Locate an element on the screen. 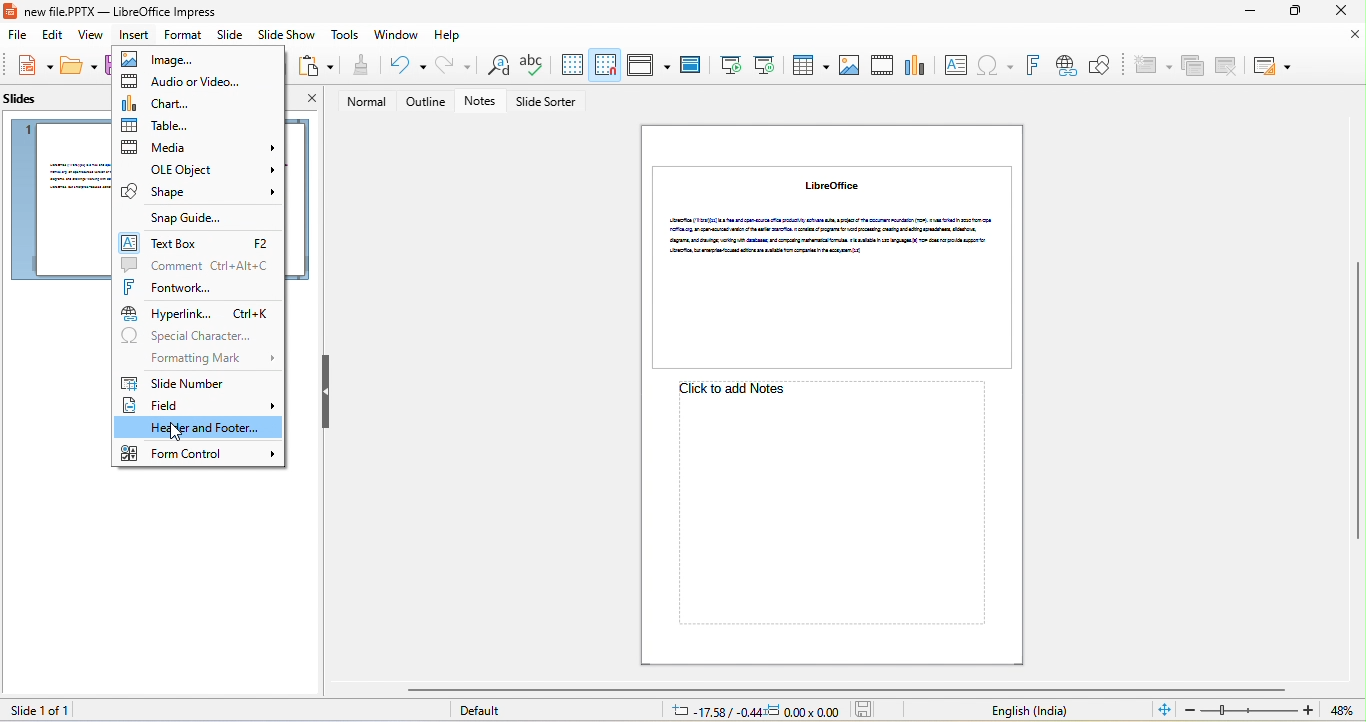 This screenshot has height=722, width=1366. how draw function is located at coordinates (1101, 66).